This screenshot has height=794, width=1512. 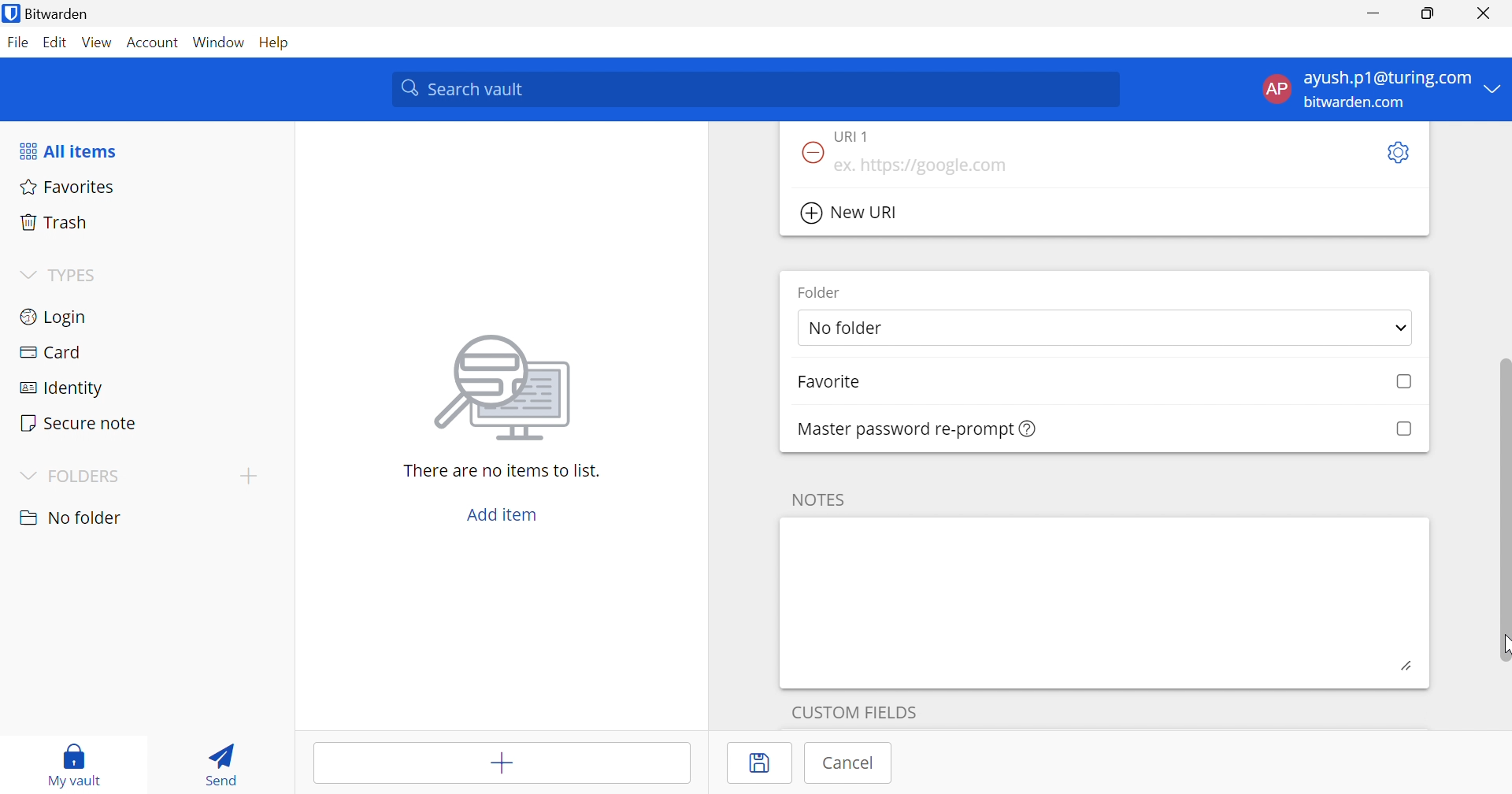 I want to click on Checkbox, so click(x=1405, y=382).